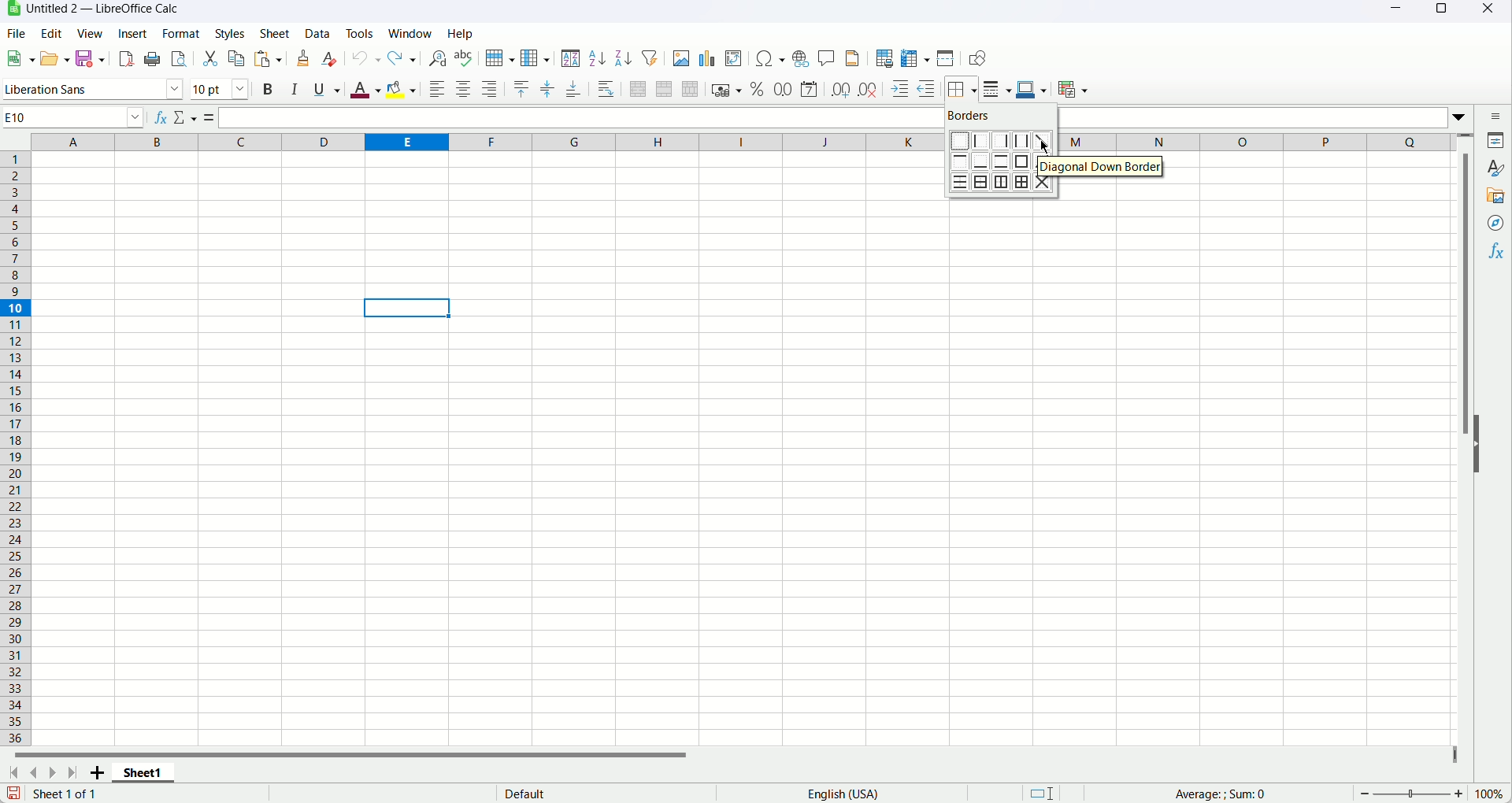  What do you see at coordinates (897, 89) in the screenshot?
I see `Increase indent` at bounding box center [897, 89].